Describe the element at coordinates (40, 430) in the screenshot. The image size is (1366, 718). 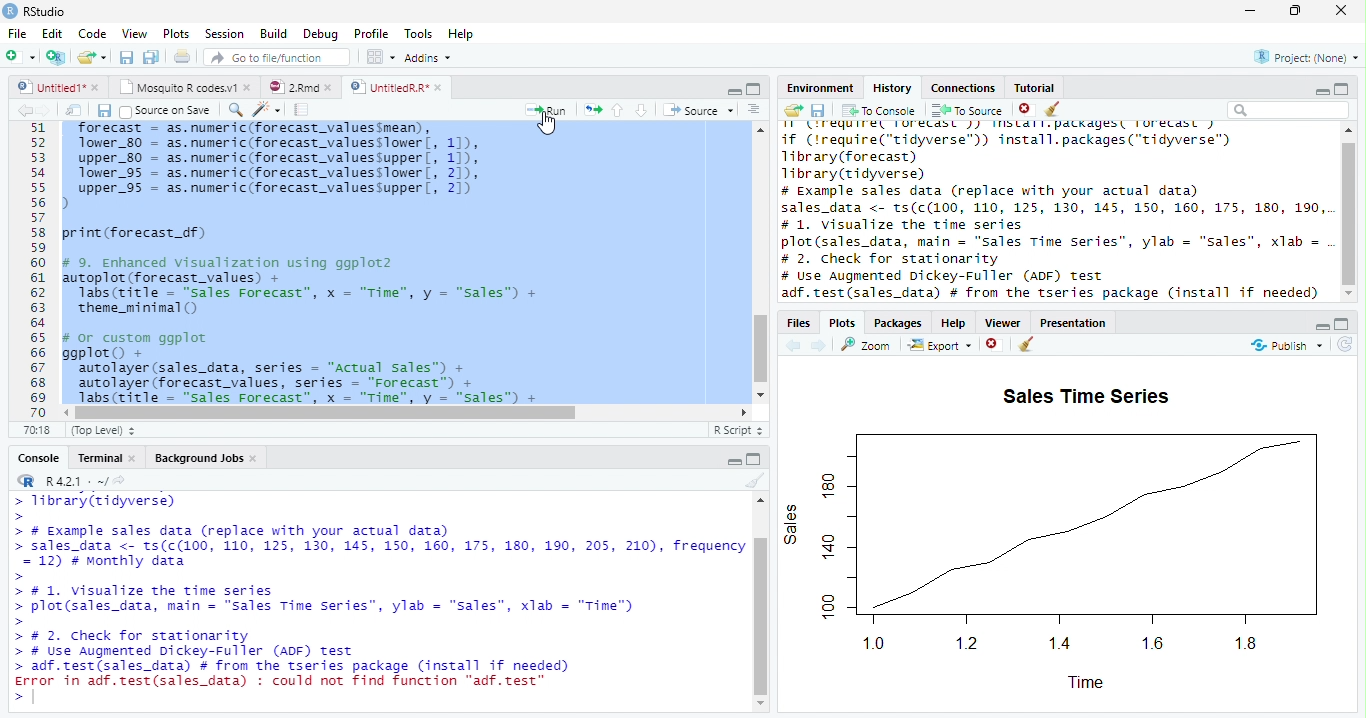
I see `1:1` at that location.